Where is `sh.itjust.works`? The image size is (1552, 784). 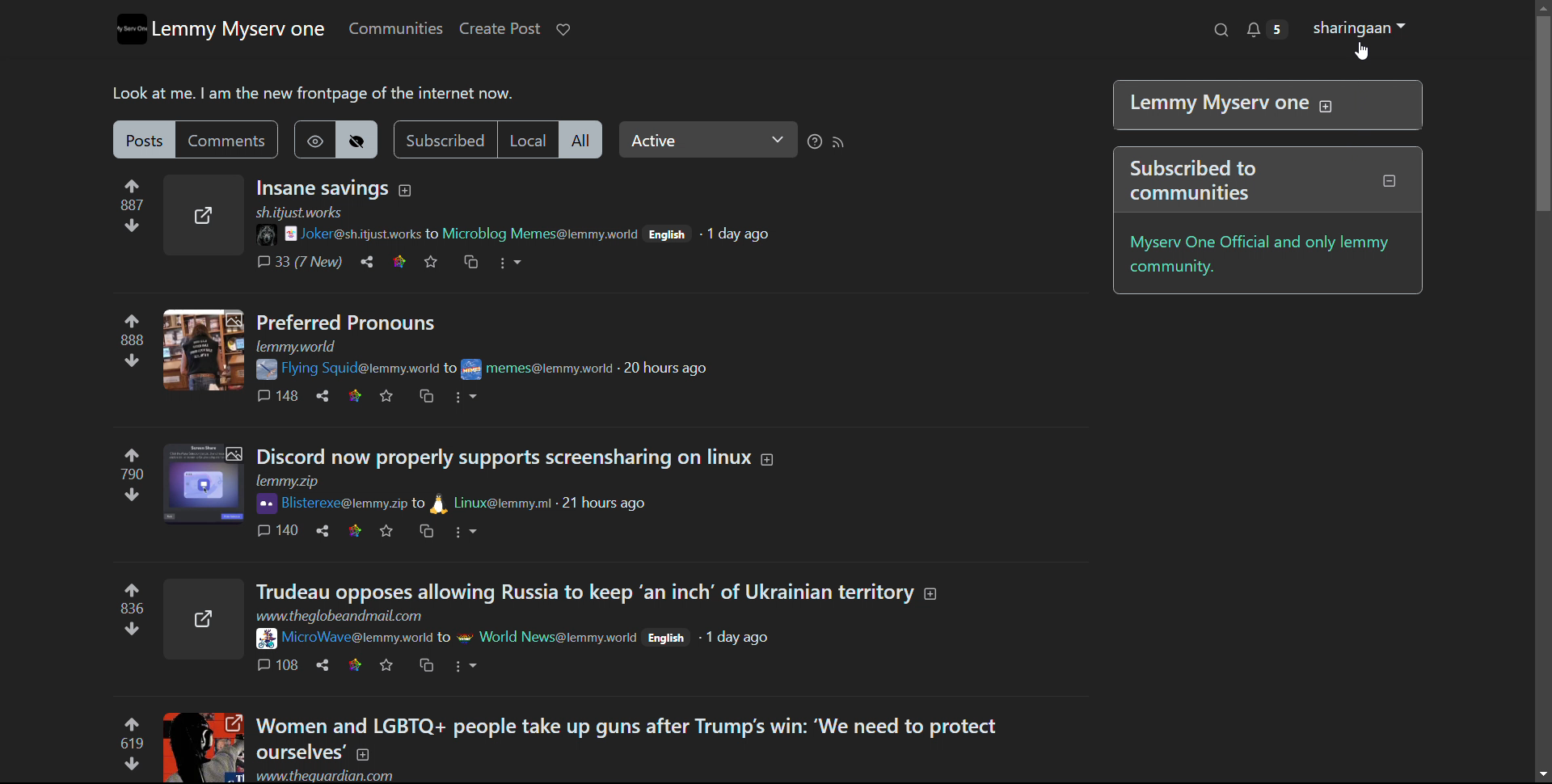
sh.itjust.works is located at coordinates (301, 213).